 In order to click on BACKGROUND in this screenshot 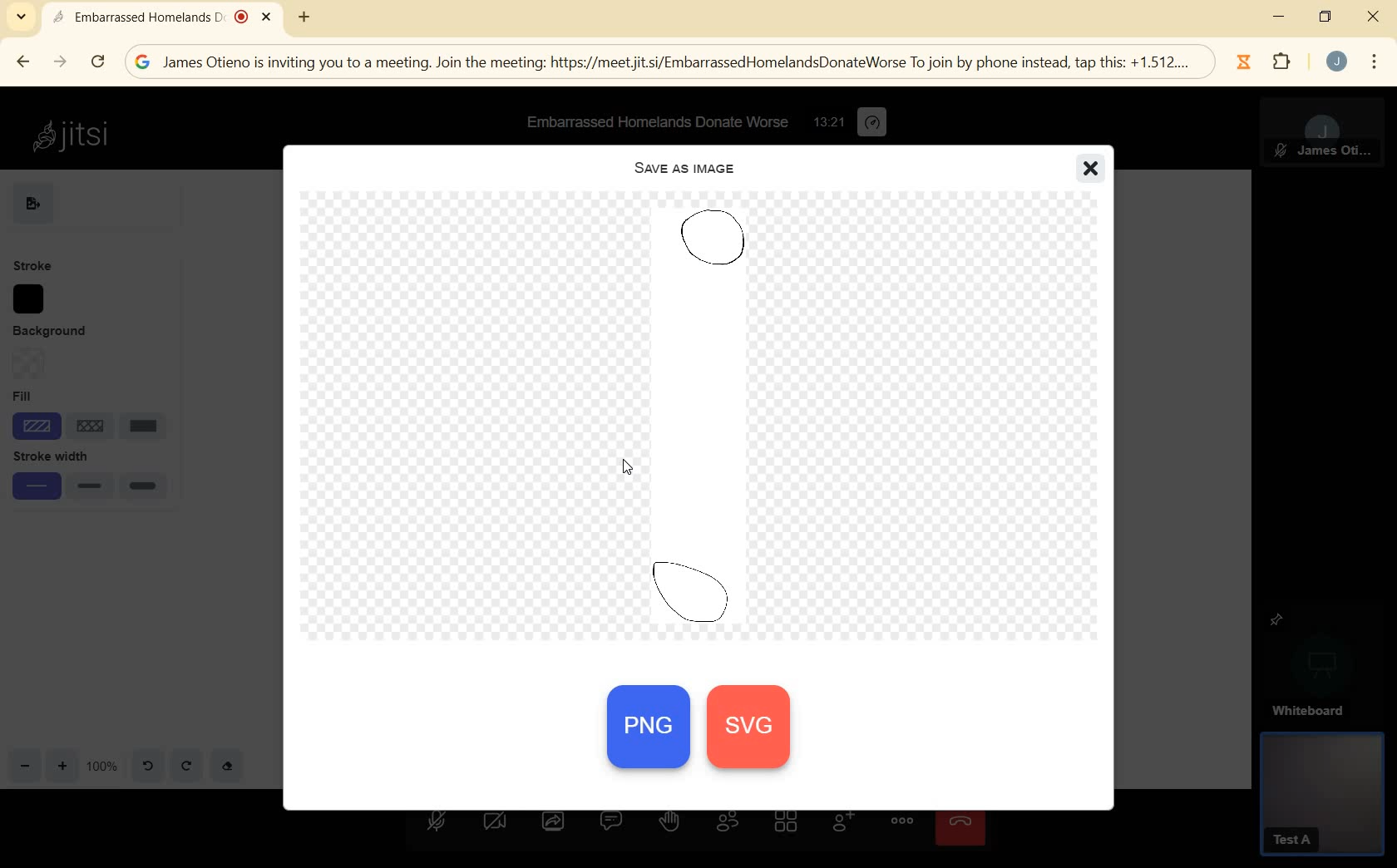, I will do `click(63, 334)`.